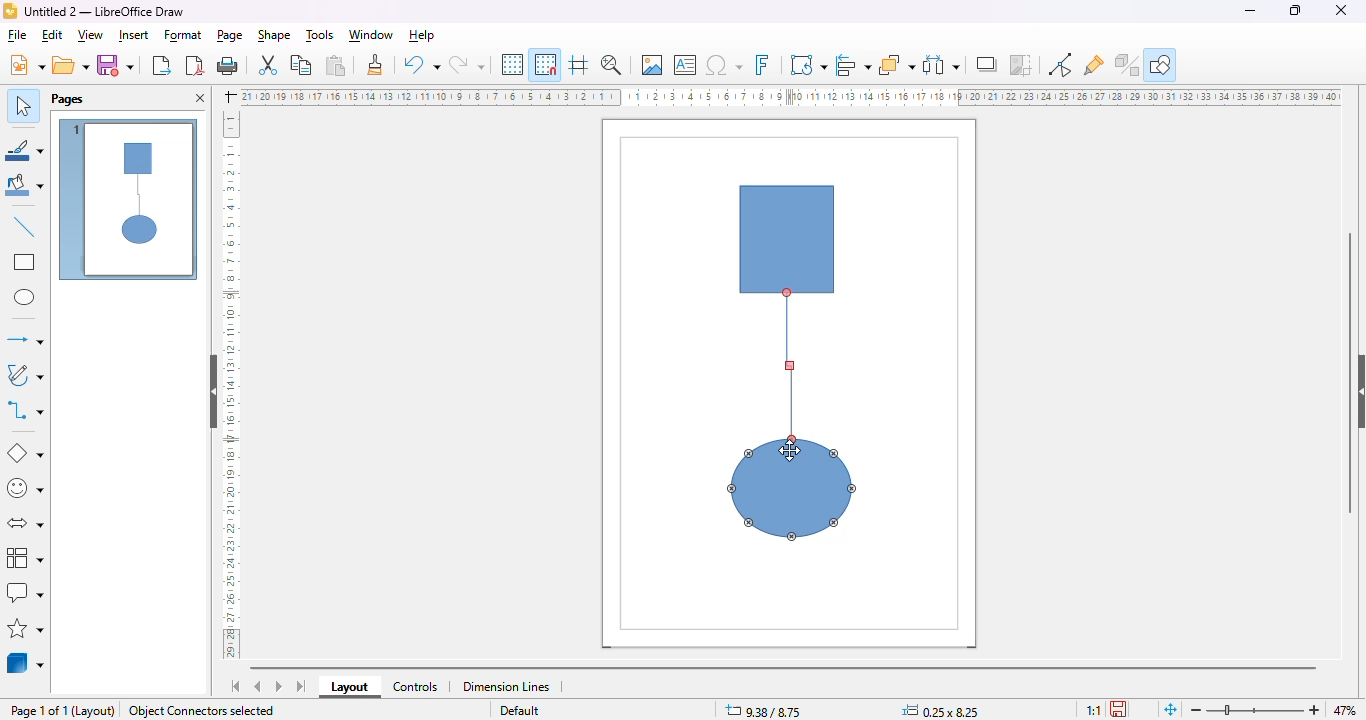 The height and width of the screenshot is (720, 1366). I want to click on show draw functions, so click(1163, 63).